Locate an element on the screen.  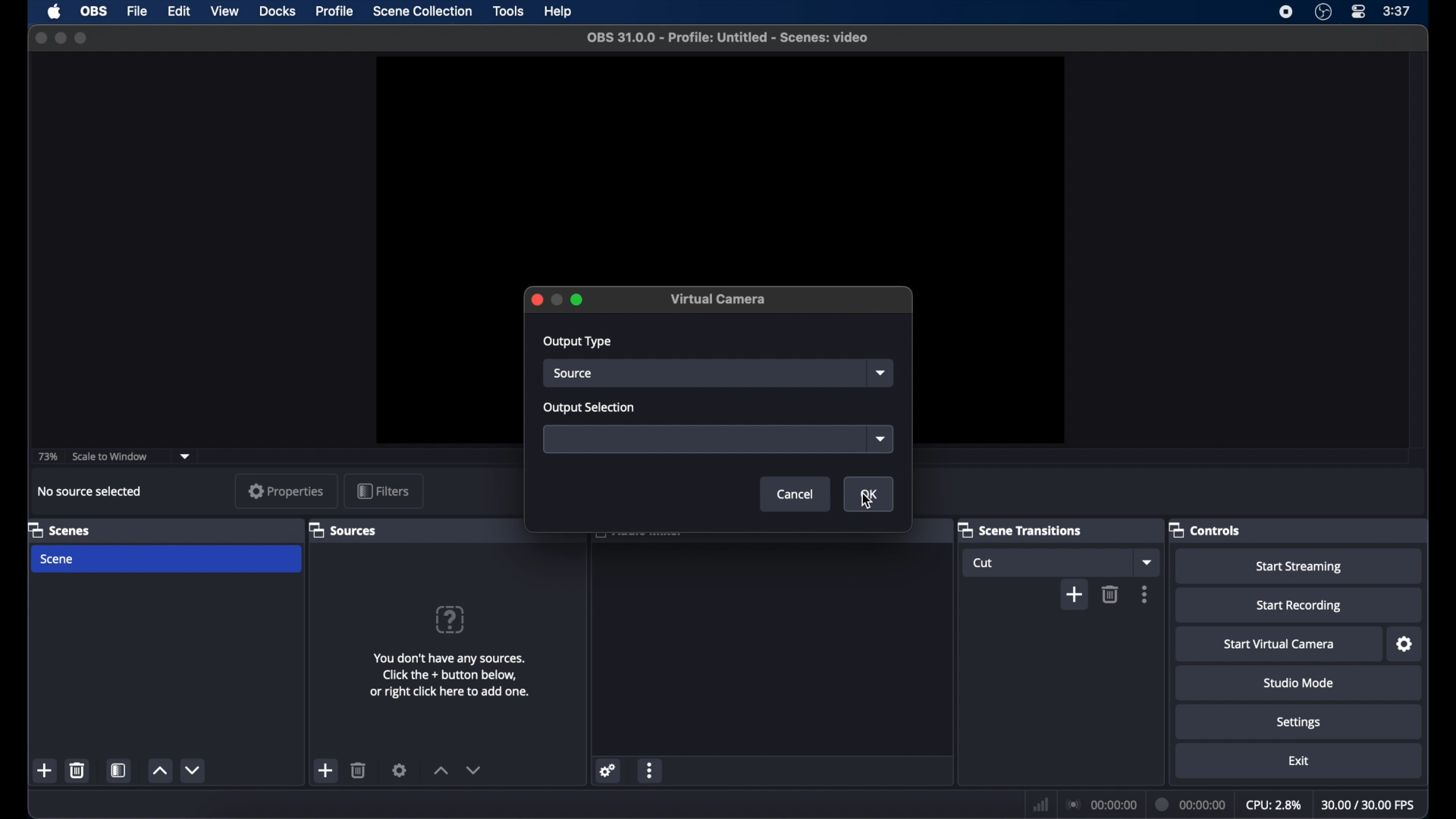
delete is located at coordinates (77, 770).